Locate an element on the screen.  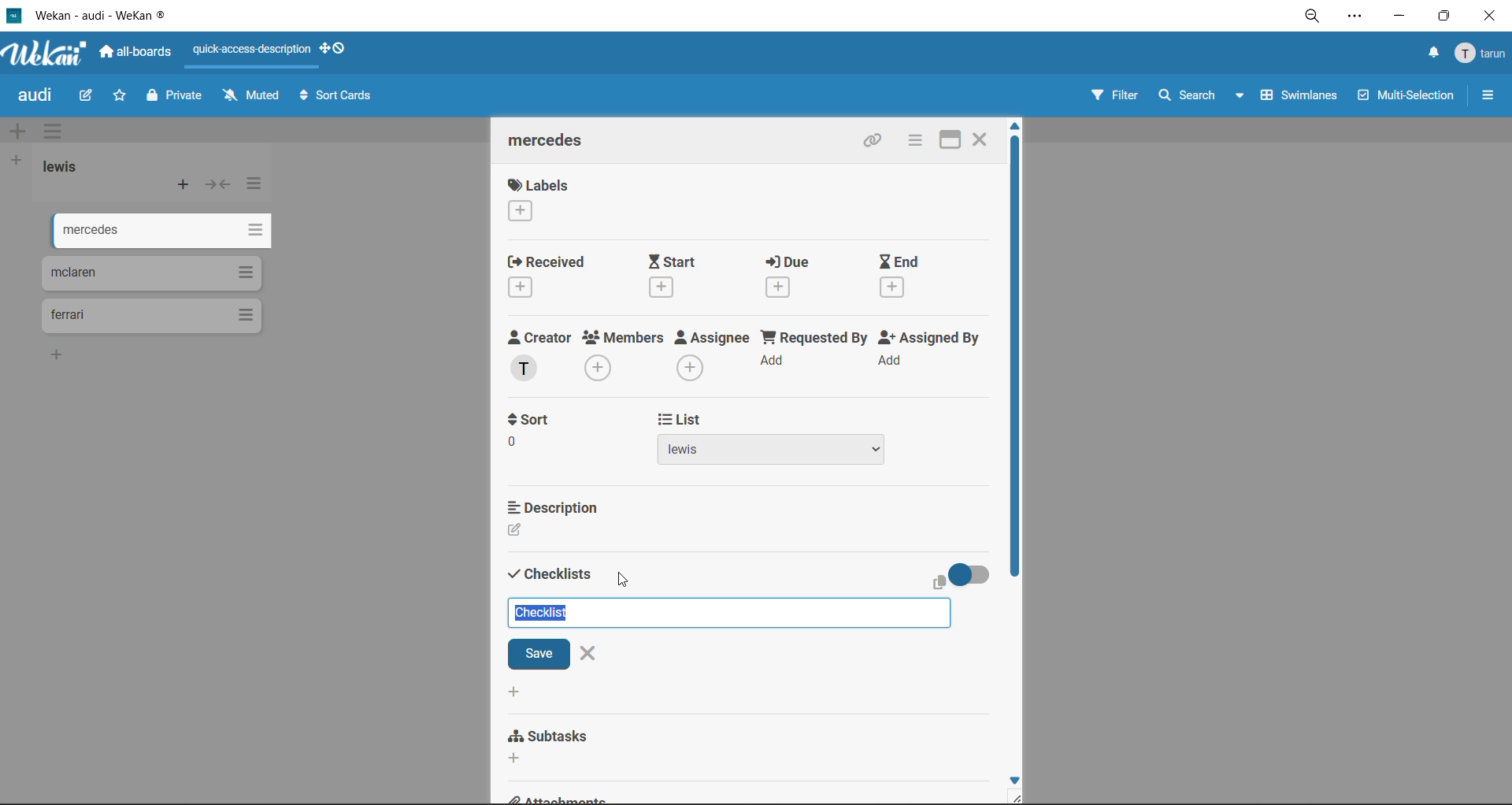
subtasks is located at coordinates (568, 744).